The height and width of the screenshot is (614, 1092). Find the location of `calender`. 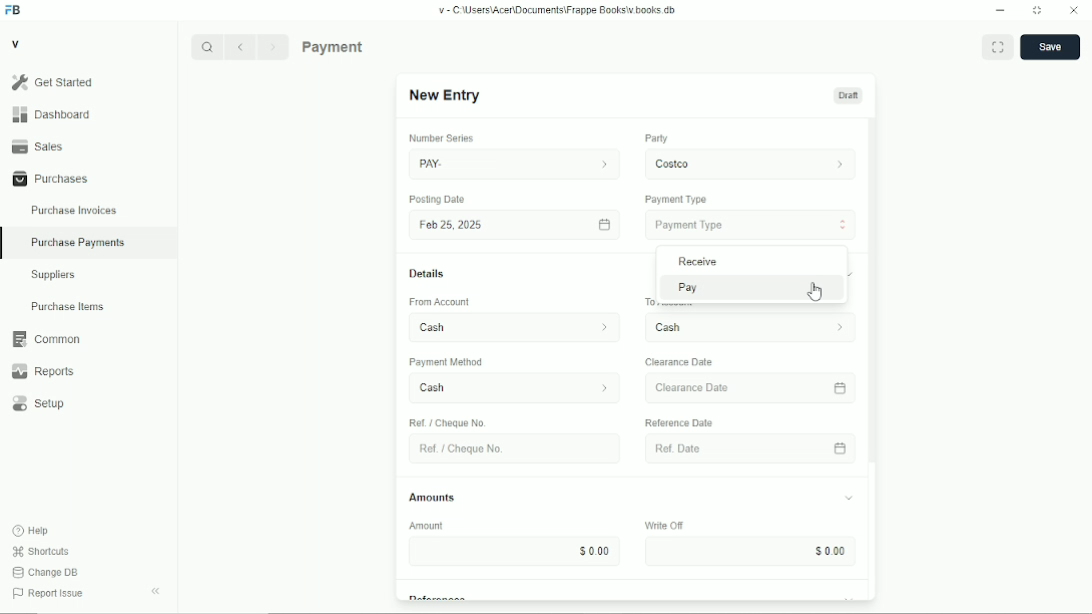

calender is located at coordinates (843, 386).